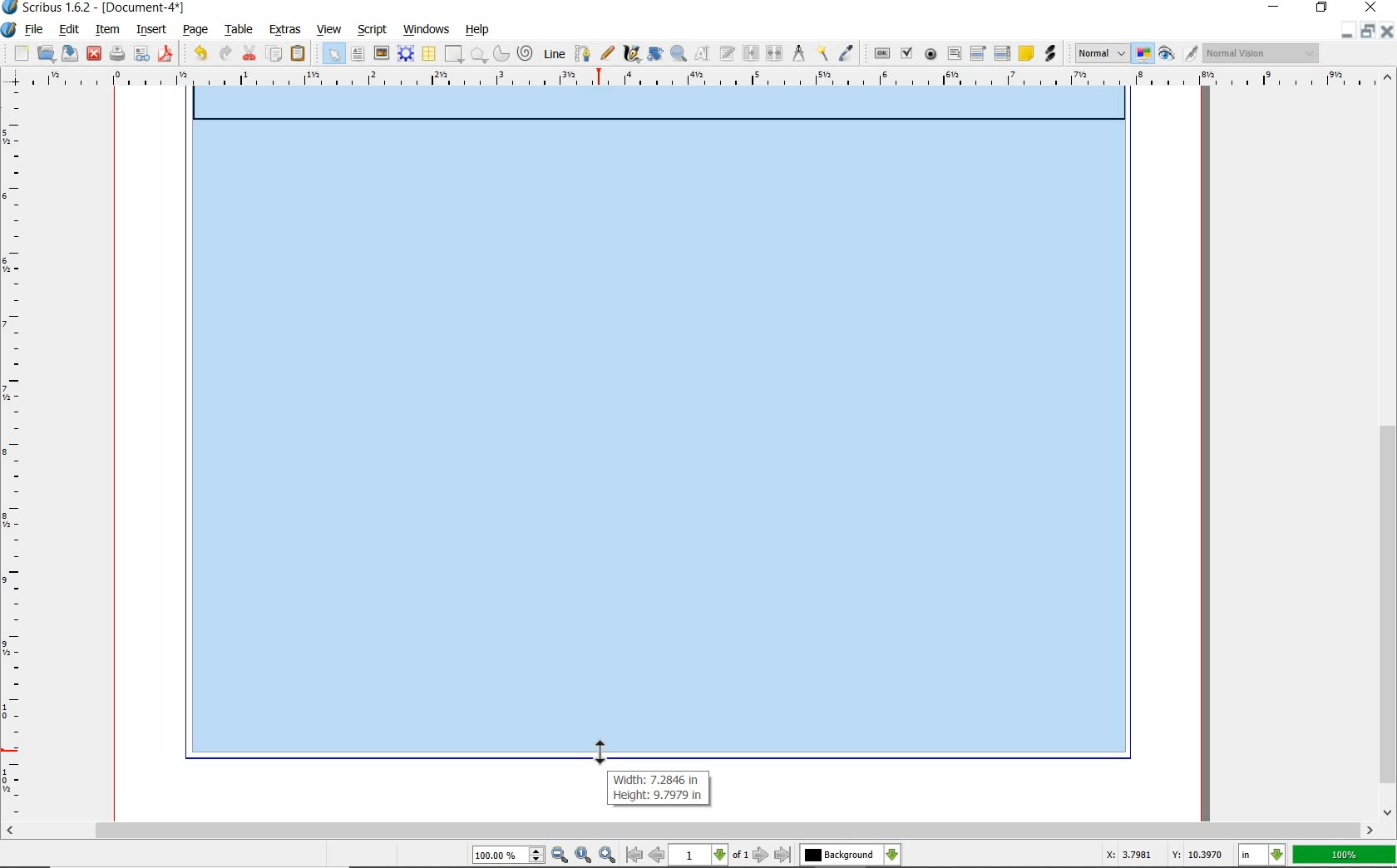  What do you see at coordinates (70, 29) in the screenshot?
I see `edit` at bounding box center [70, 29].